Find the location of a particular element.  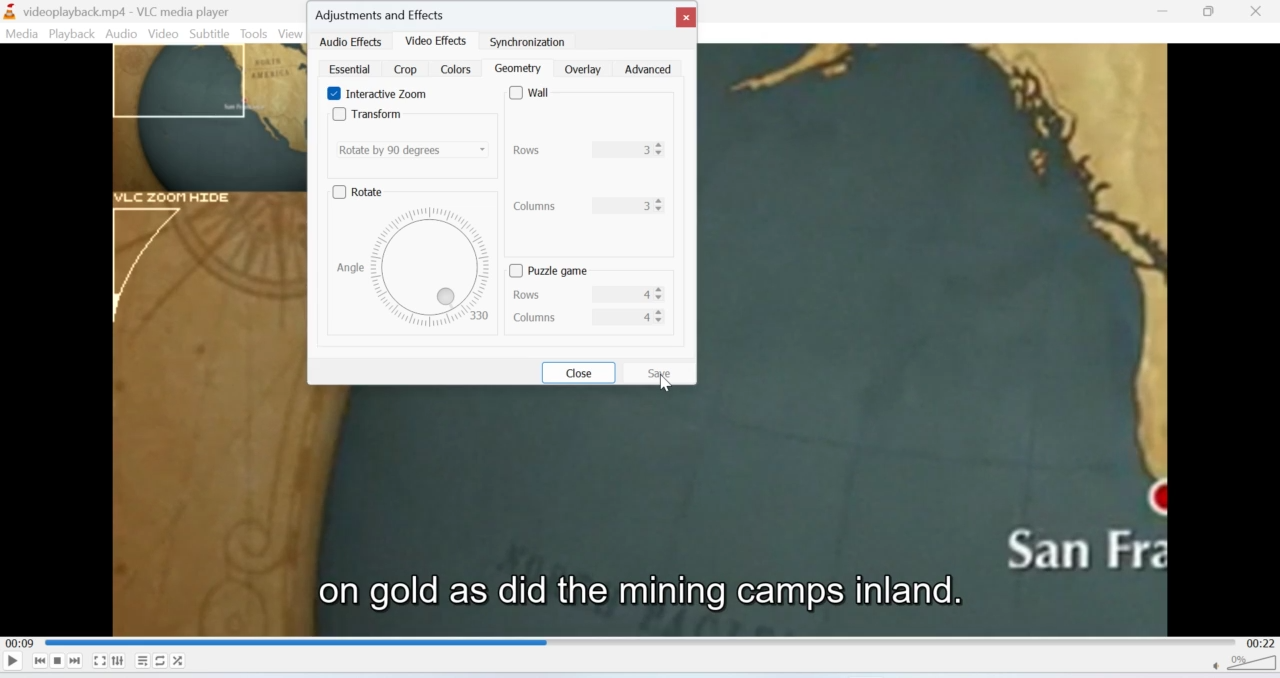

Loop is located at coordinates (160, 660).